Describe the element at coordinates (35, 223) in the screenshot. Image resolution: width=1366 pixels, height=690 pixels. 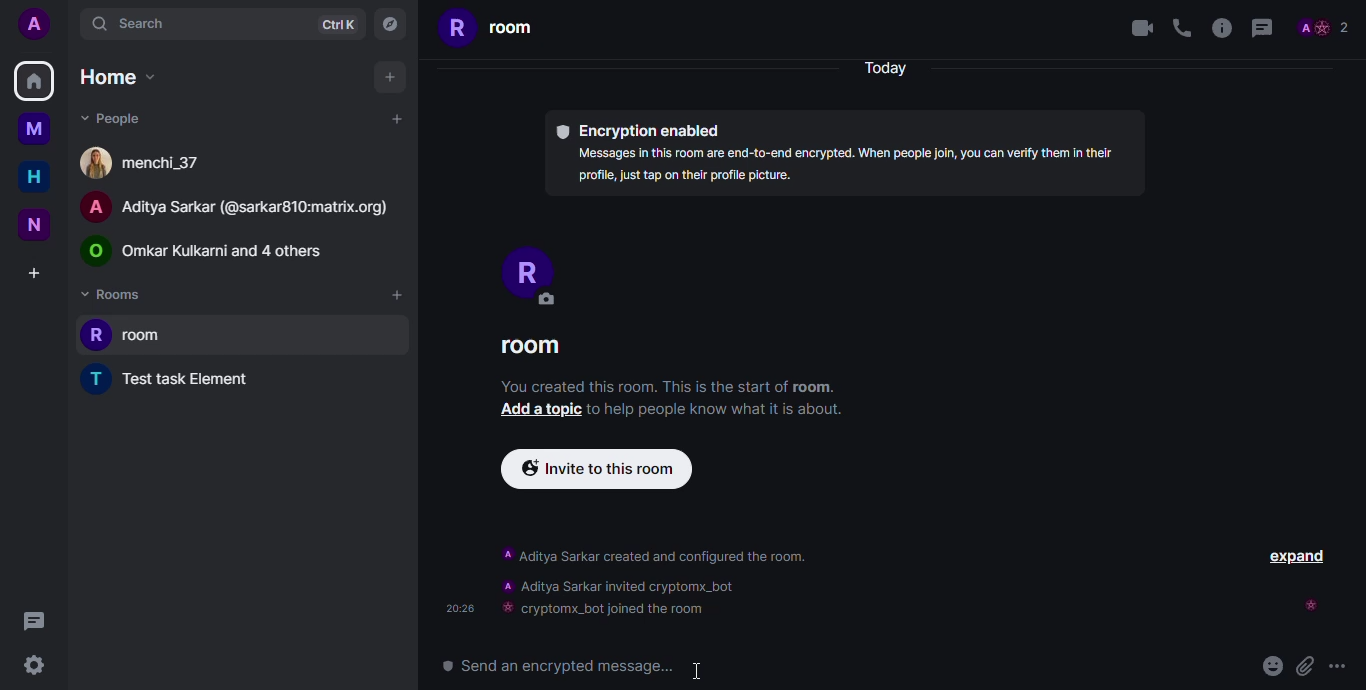
I see `new` at that location.